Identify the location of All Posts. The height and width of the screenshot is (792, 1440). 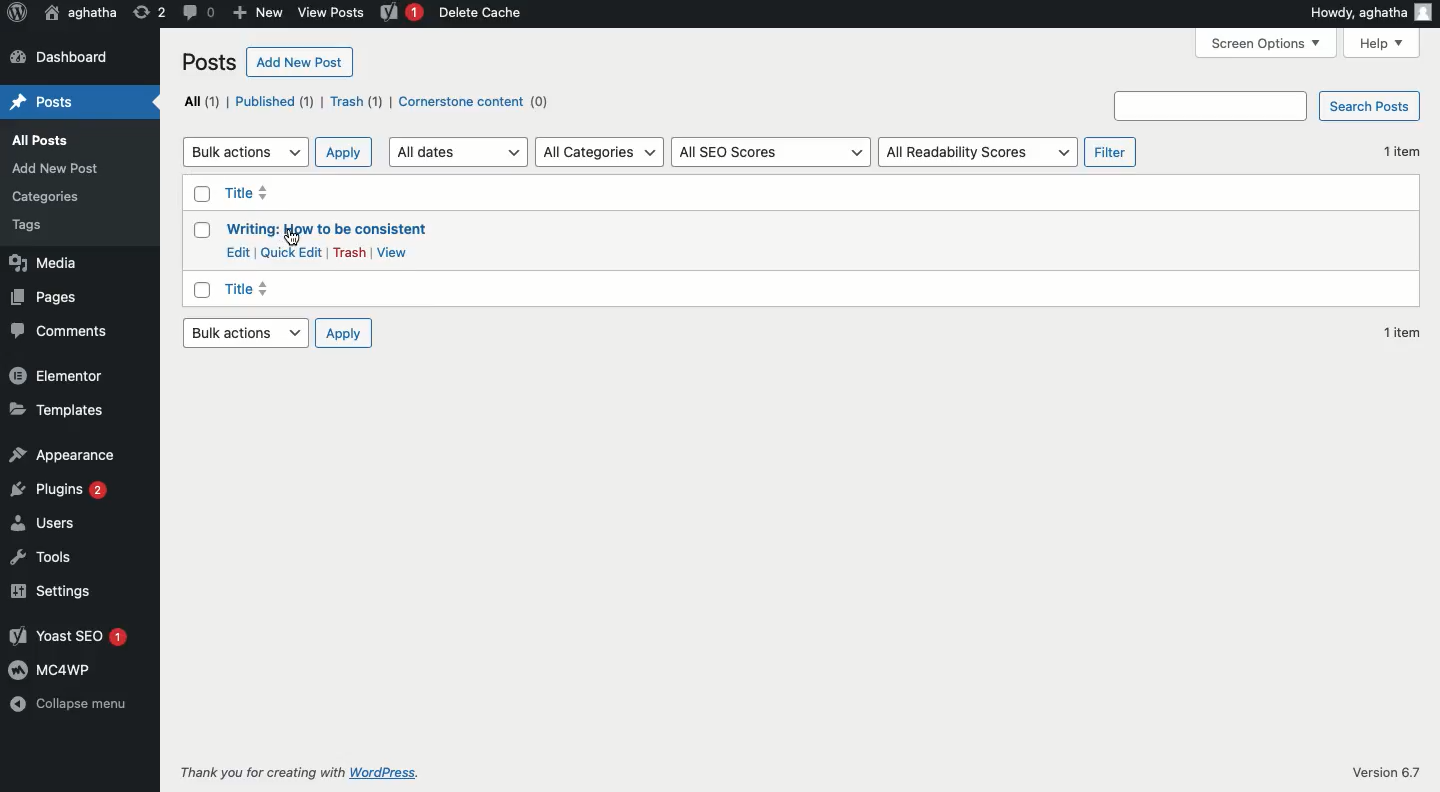
(43, 144).